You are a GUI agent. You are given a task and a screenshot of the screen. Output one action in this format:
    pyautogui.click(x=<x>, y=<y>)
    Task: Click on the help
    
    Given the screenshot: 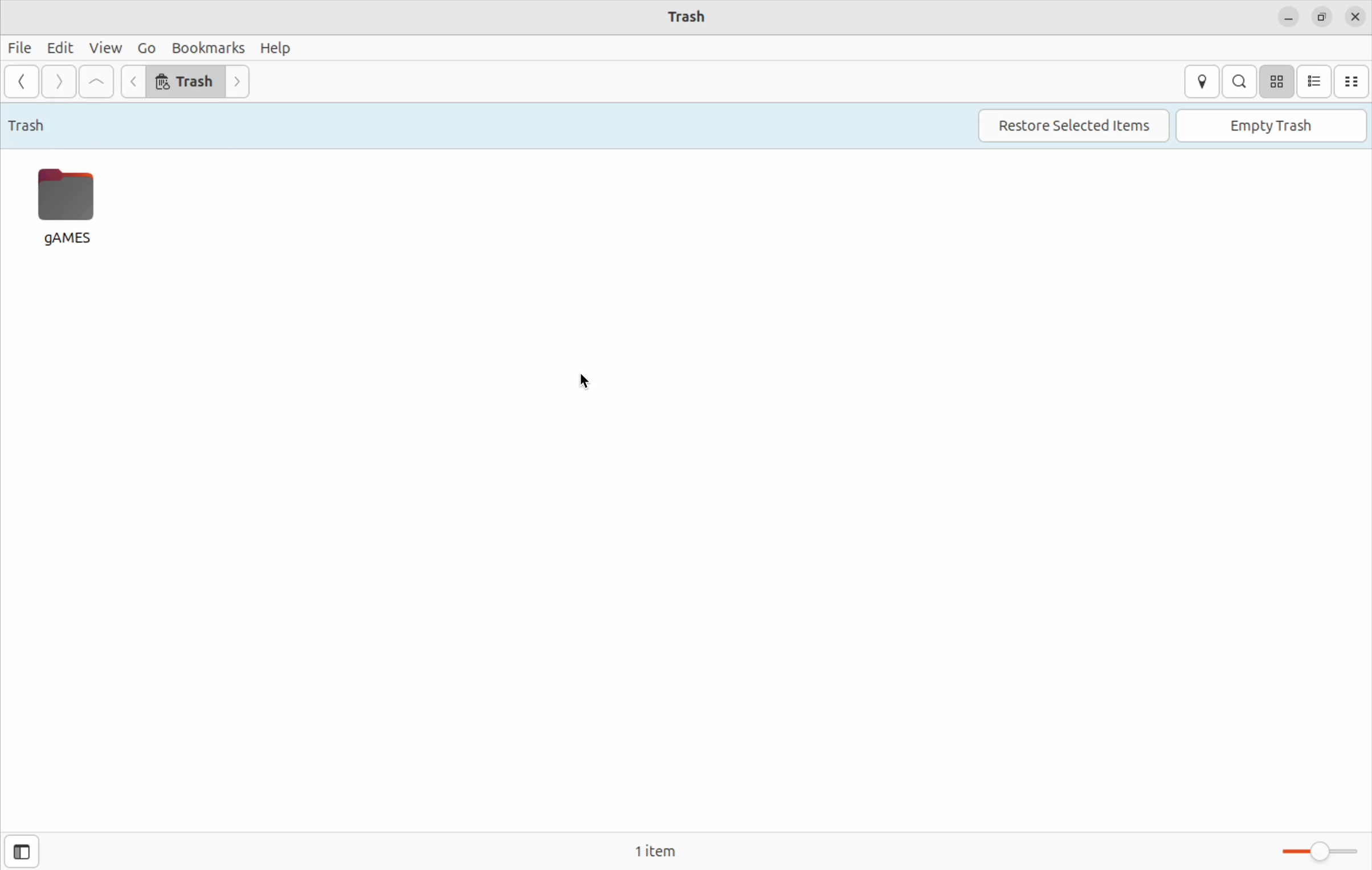 What is the action you would take?
    pyautogui.click(x=281, y=48)
    